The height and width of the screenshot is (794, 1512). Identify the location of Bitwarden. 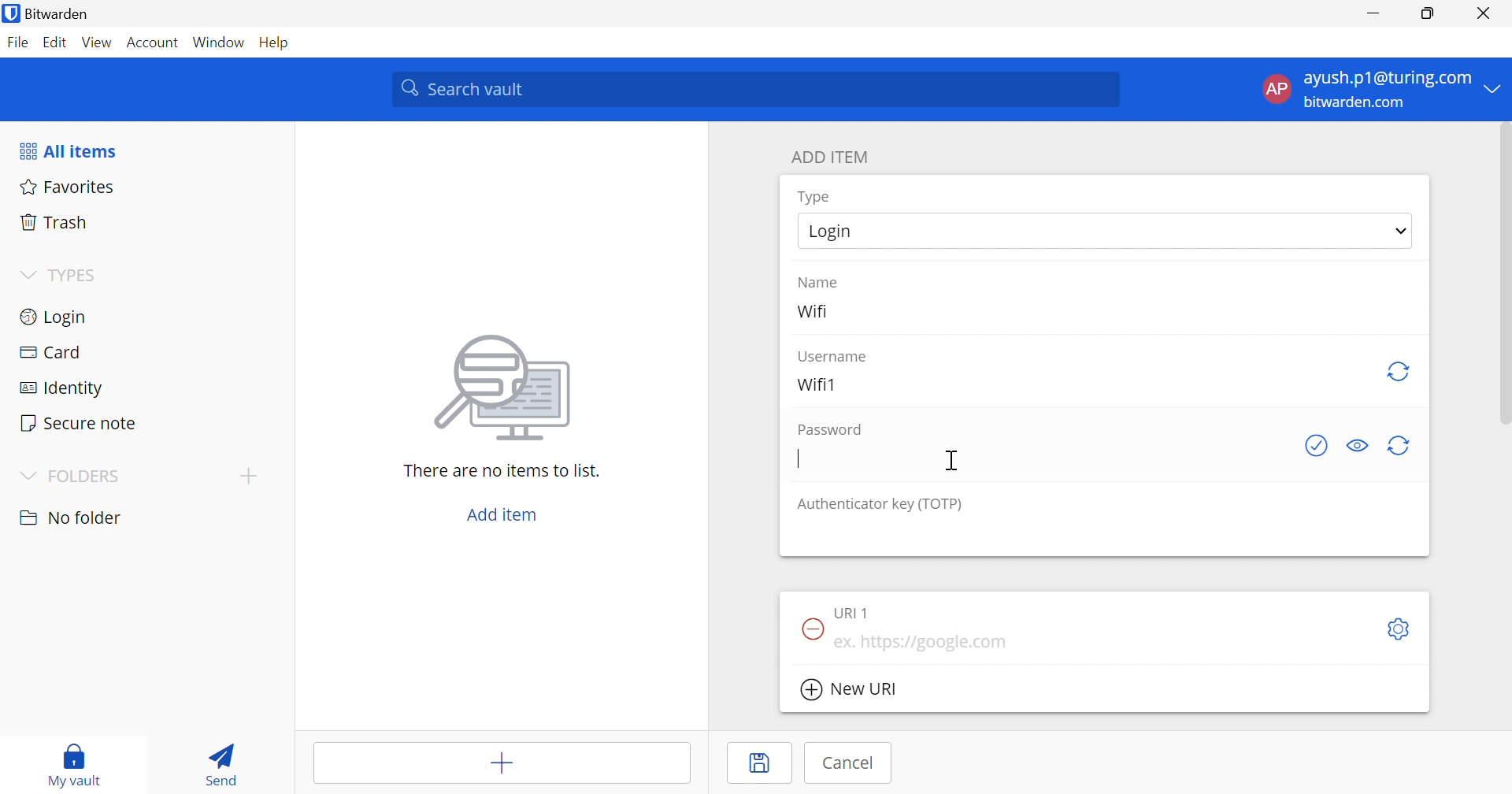
(48, 13).